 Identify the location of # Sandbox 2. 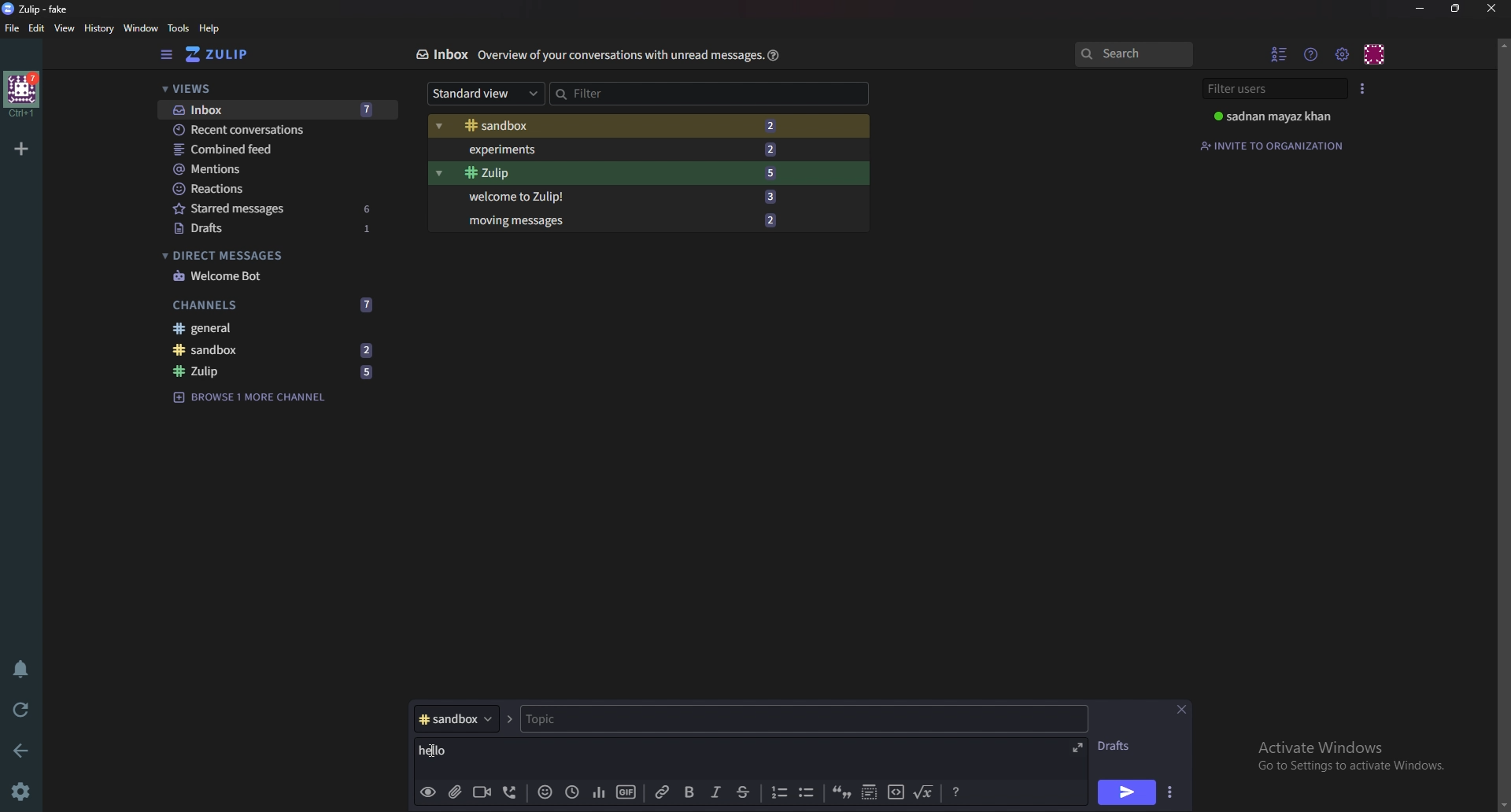
(276, 351).